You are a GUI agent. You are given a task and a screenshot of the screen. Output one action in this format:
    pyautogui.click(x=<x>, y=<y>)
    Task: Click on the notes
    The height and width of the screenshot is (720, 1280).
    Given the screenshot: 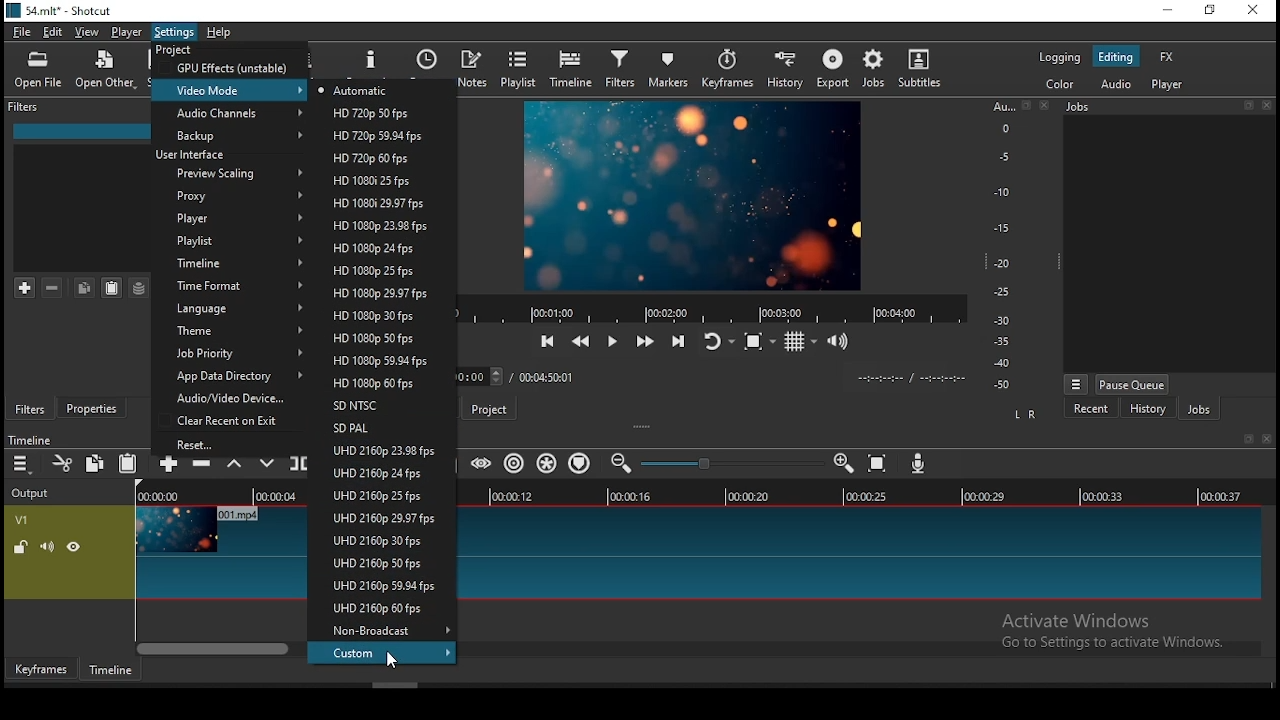 What is the action you would take?
    pyautogui.click(x=472, y=69)
    